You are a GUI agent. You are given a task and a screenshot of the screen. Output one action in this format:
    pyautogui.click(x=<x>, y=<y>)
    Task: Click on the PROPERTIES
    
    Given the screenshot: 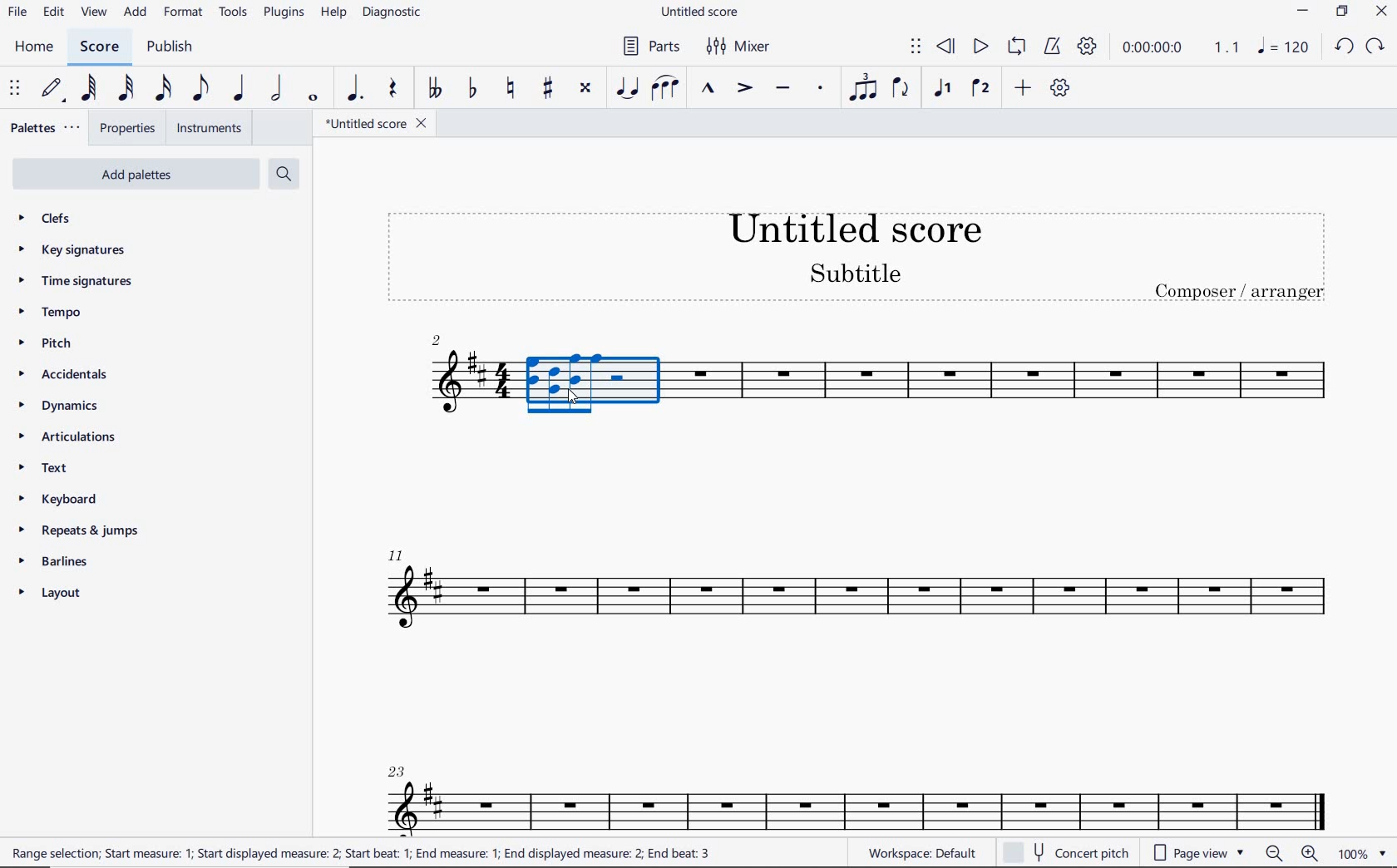 What is the action you would take?
    pyautogui.click(x=126, y=131)
    